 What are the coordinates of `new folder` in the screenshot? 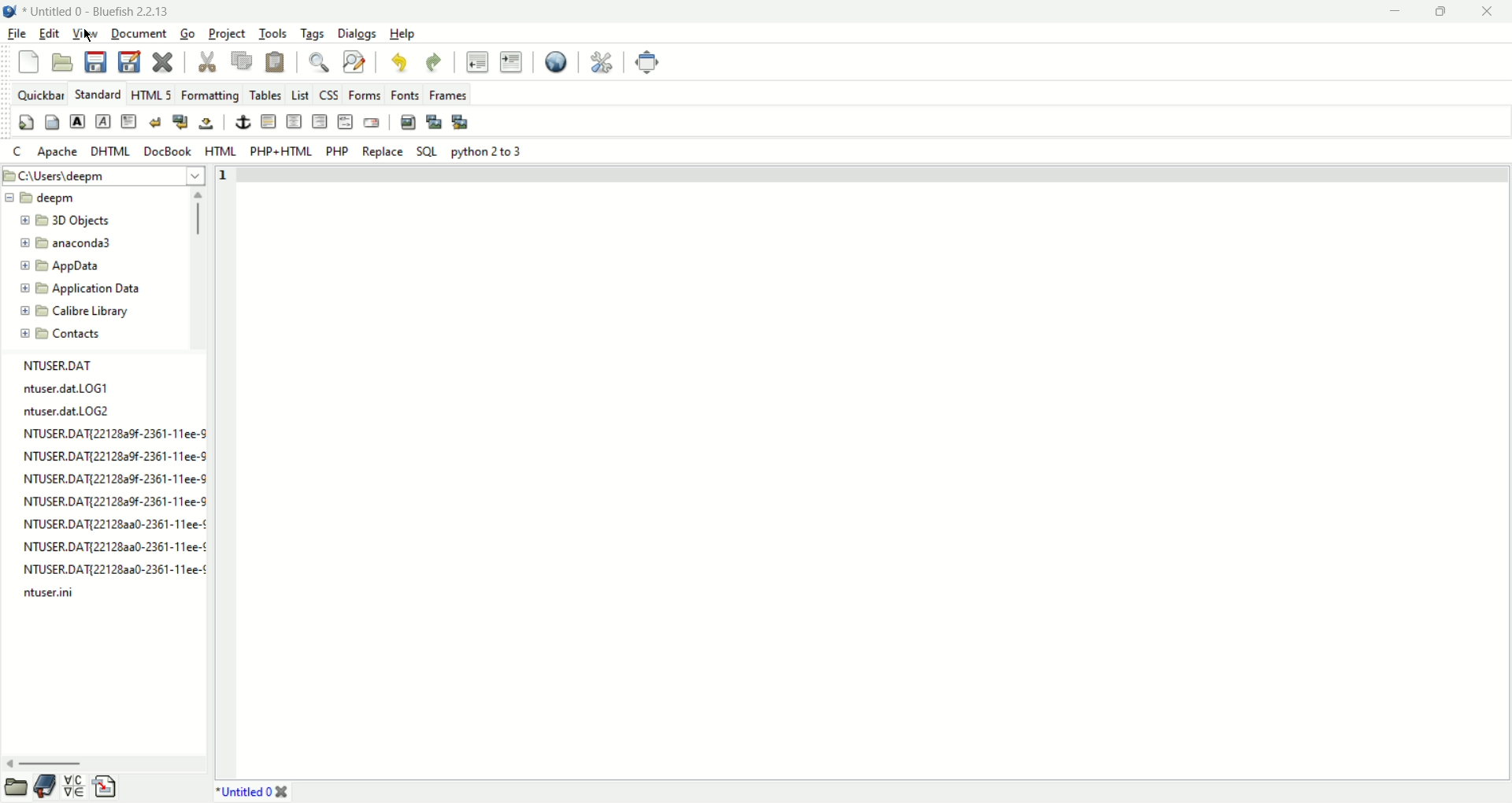 It's located at (99, 289).